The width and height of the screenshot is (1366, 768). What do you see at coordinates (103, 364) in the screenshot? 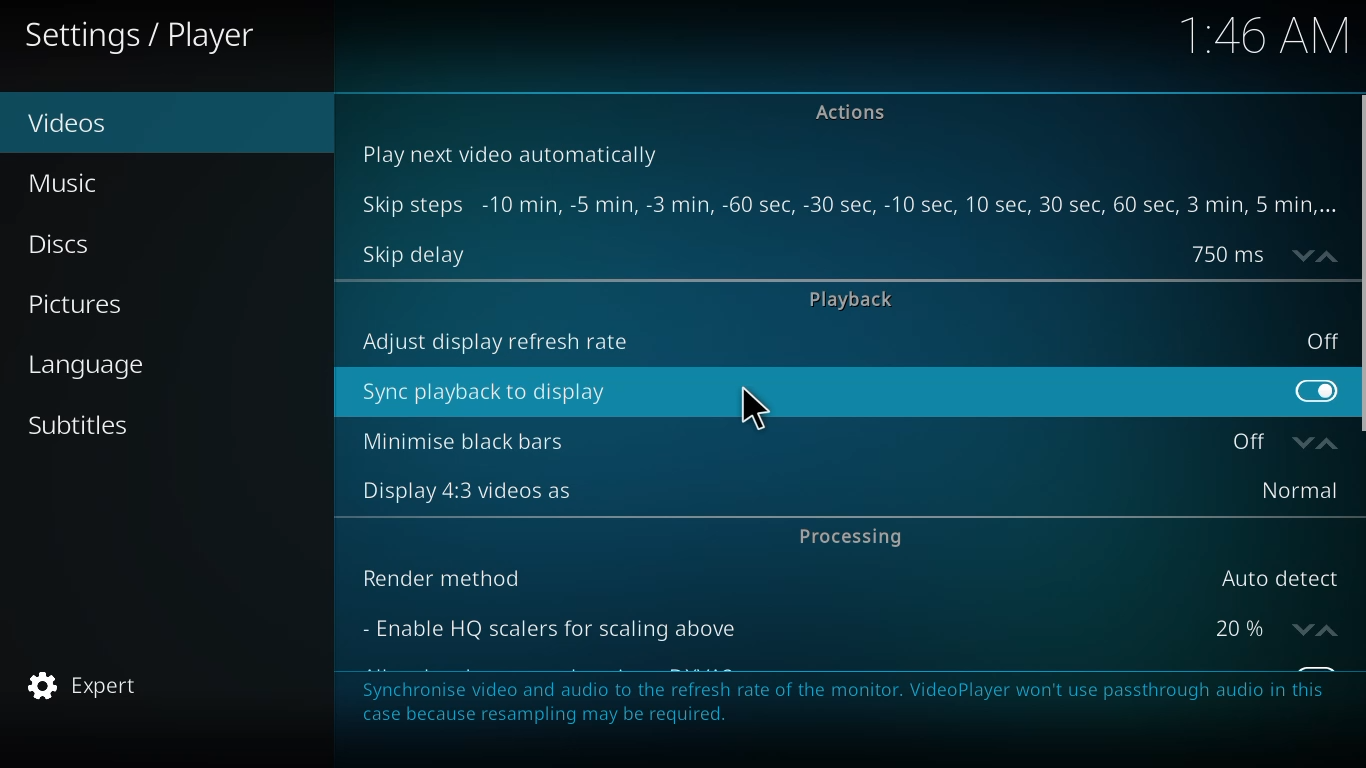
I see `language` at bounding box center [103, 364].